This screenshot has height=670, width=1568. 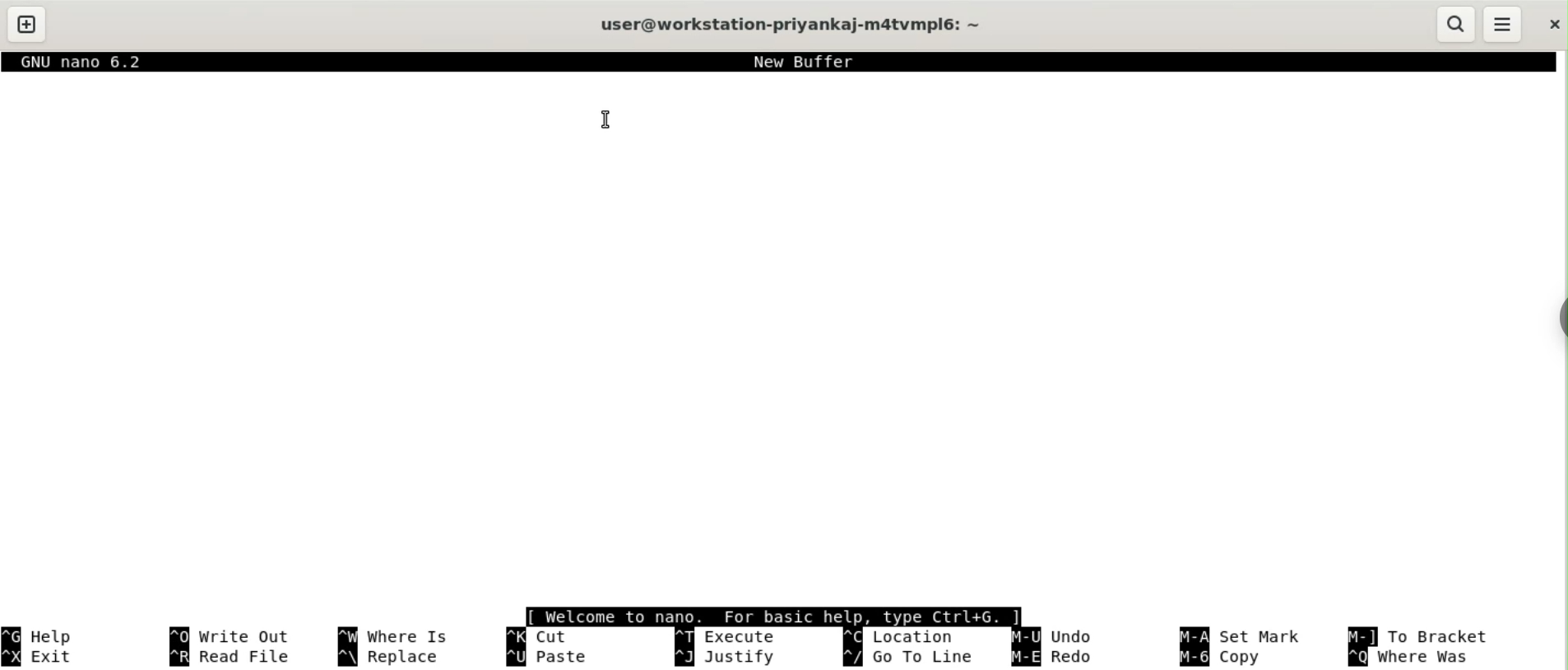 I want to click on go to line, so click(x=911, y=657).